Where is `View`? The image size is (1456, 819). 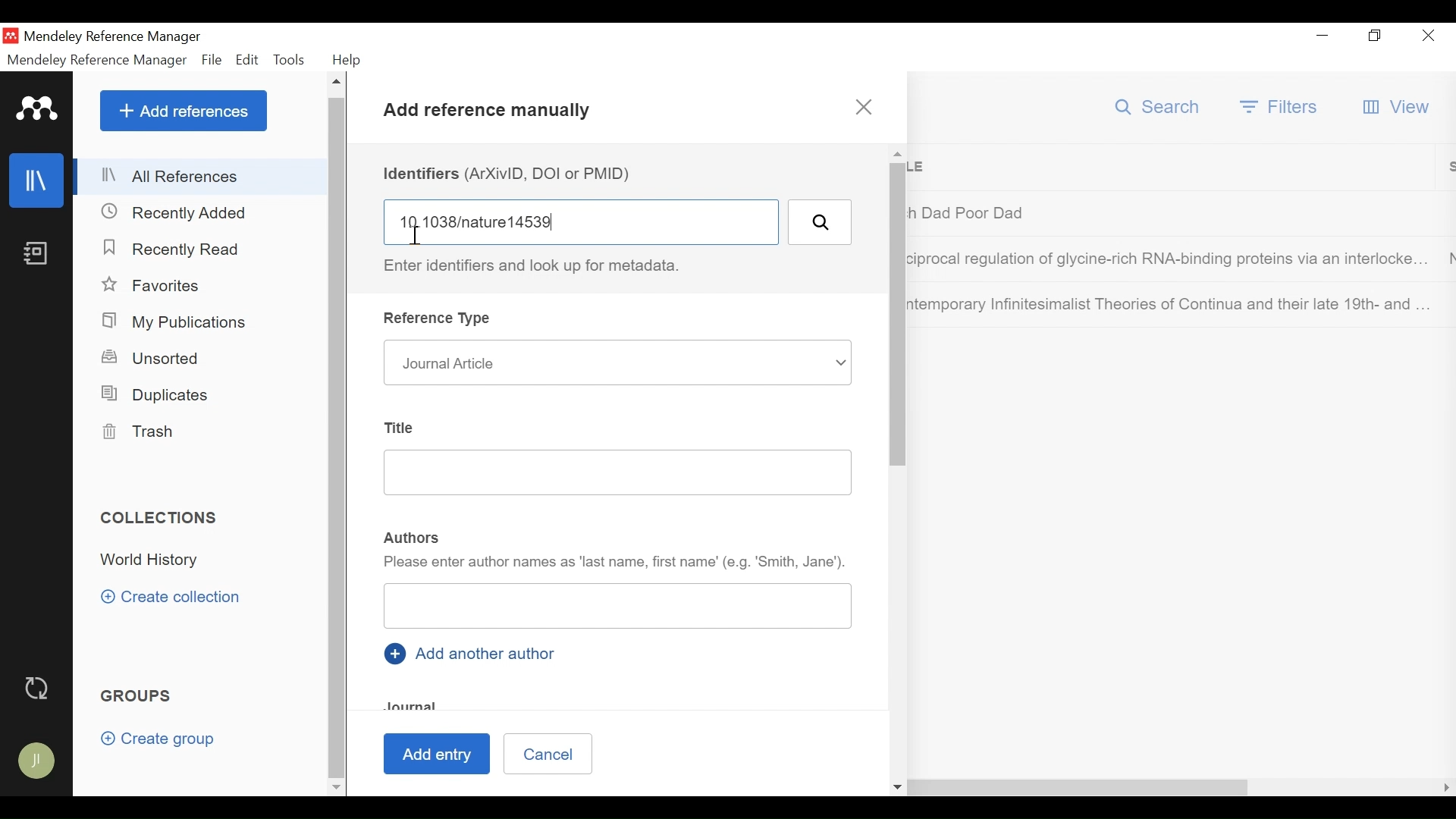
View is located at coordinates (1401, 106).